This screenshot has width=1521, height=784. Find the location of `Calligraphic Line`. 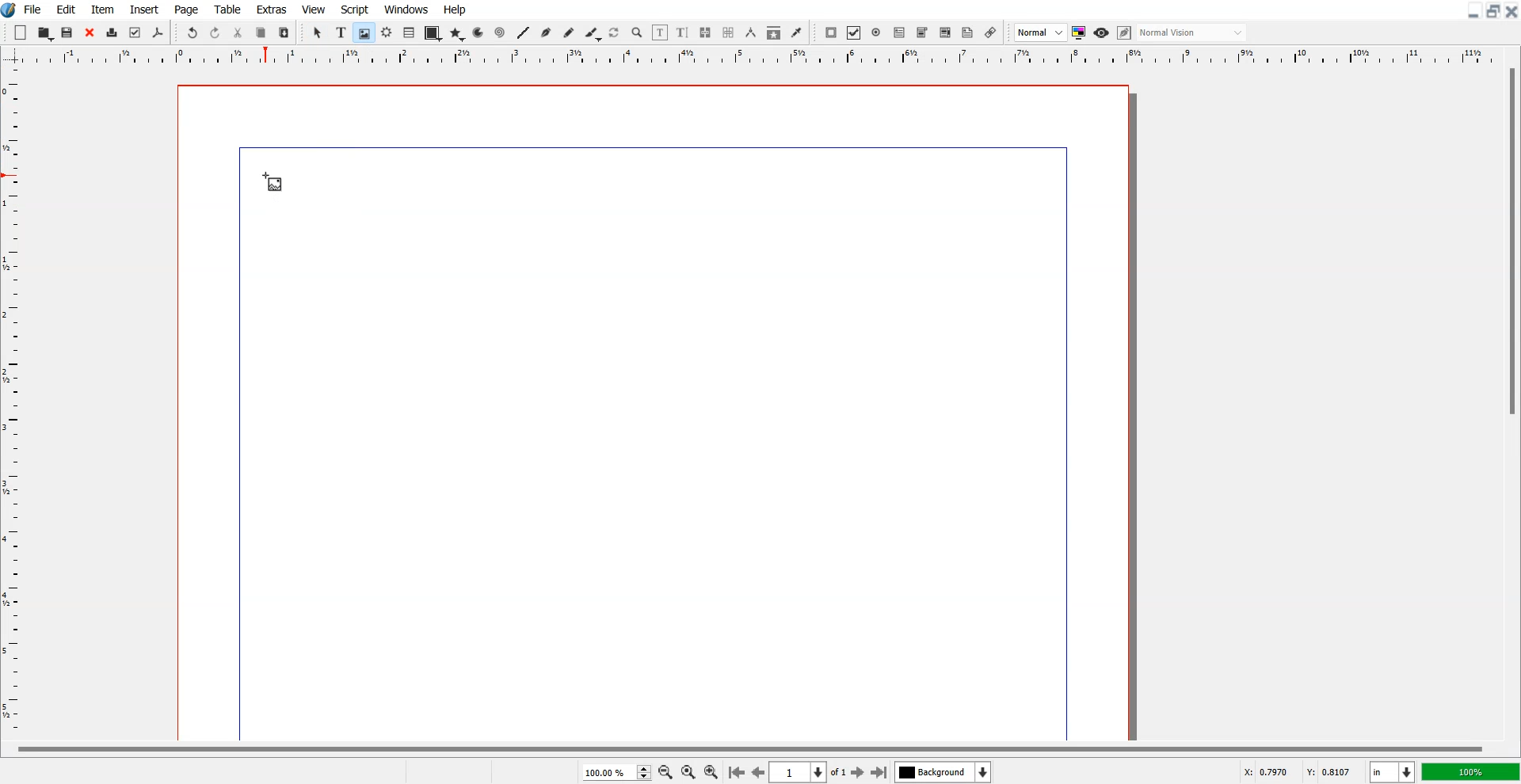

Calligraphic Line is located at coordinates (592, 33).